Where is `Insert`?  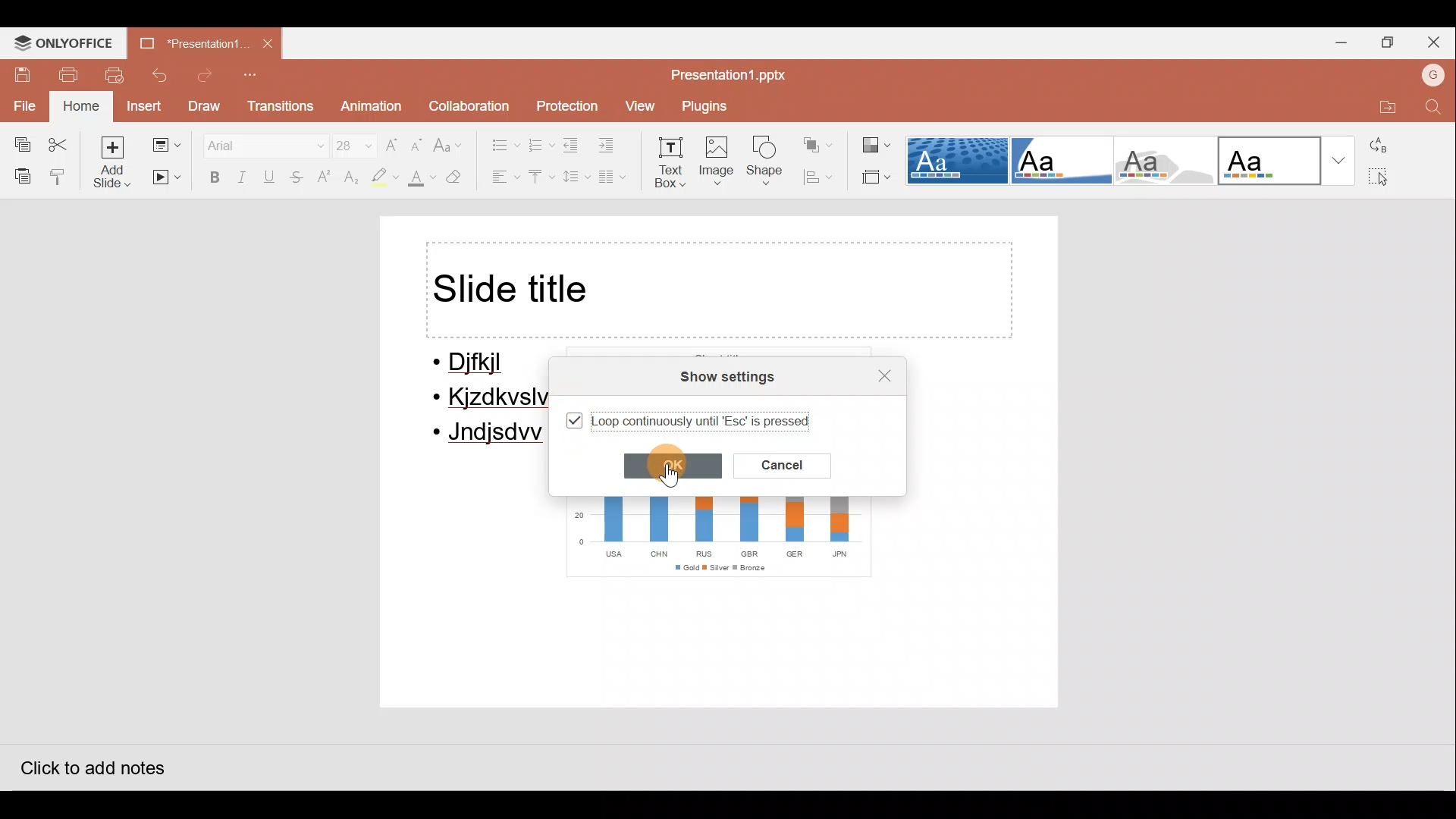
Insert is located at coordinates (140, 107).